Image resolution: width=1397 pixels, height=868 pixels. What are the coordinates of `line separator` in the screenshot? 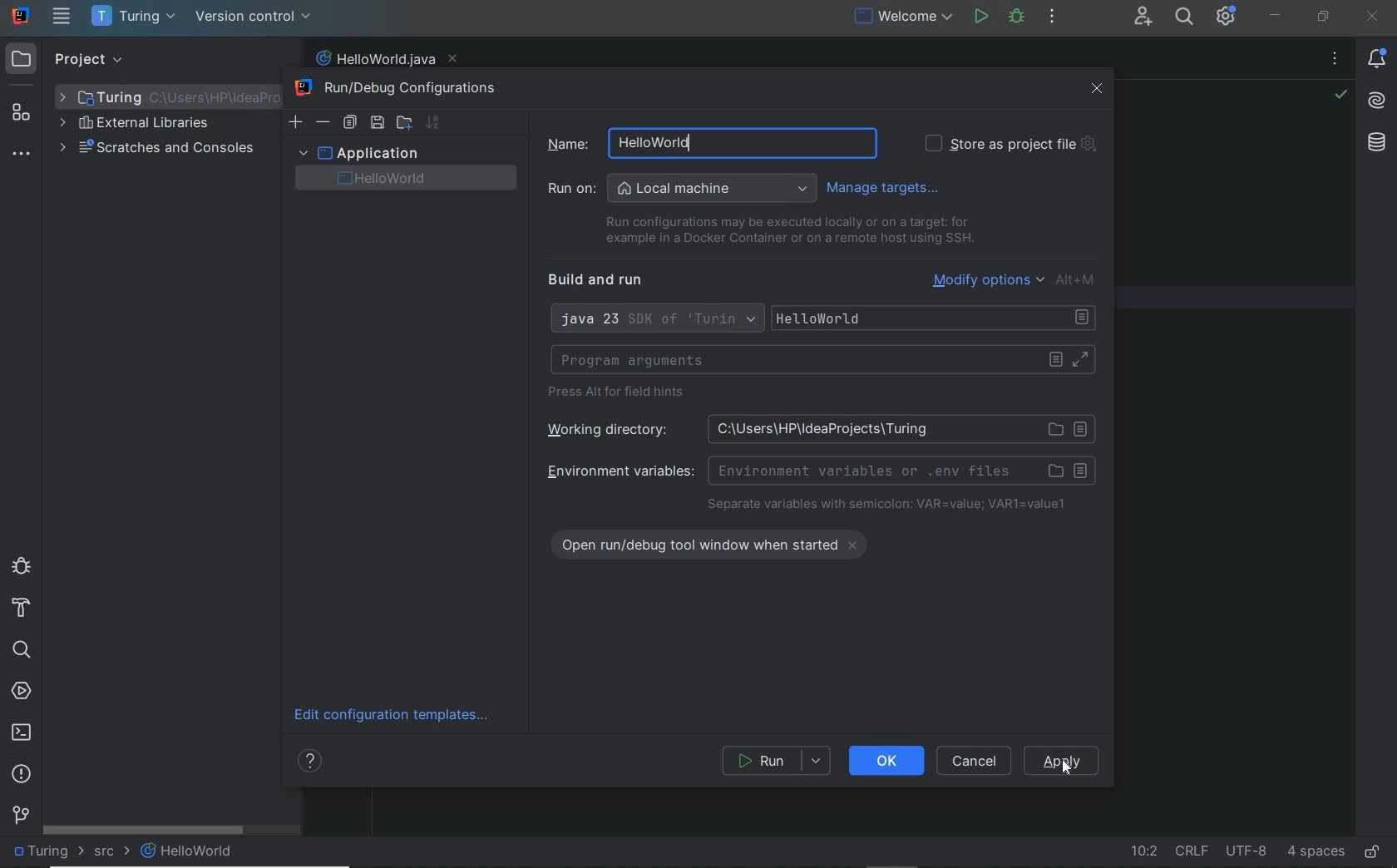 It's located at (1192, 851).